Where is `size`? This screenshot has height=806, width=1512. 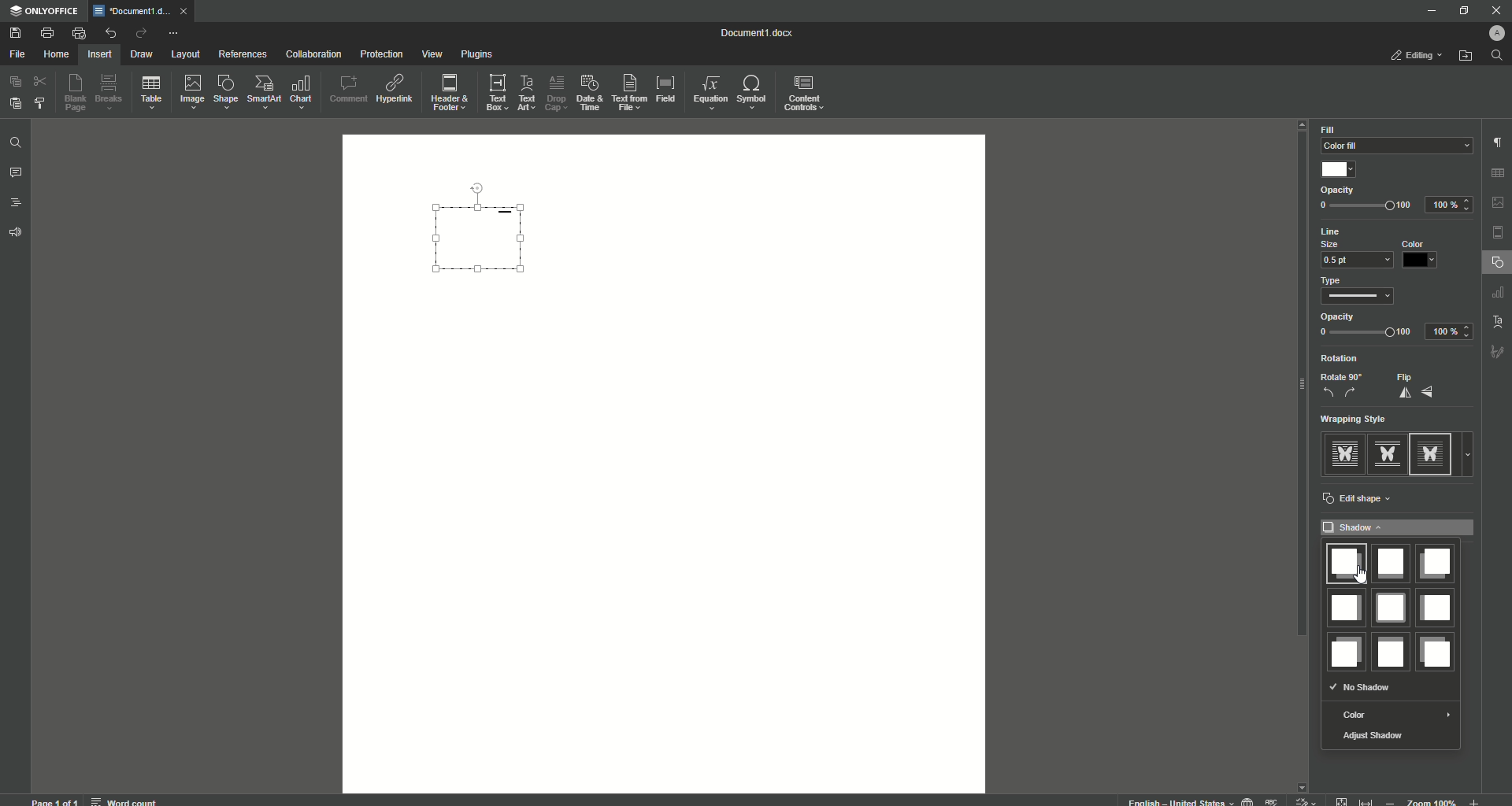
size is located at coordinates (1336, 244).